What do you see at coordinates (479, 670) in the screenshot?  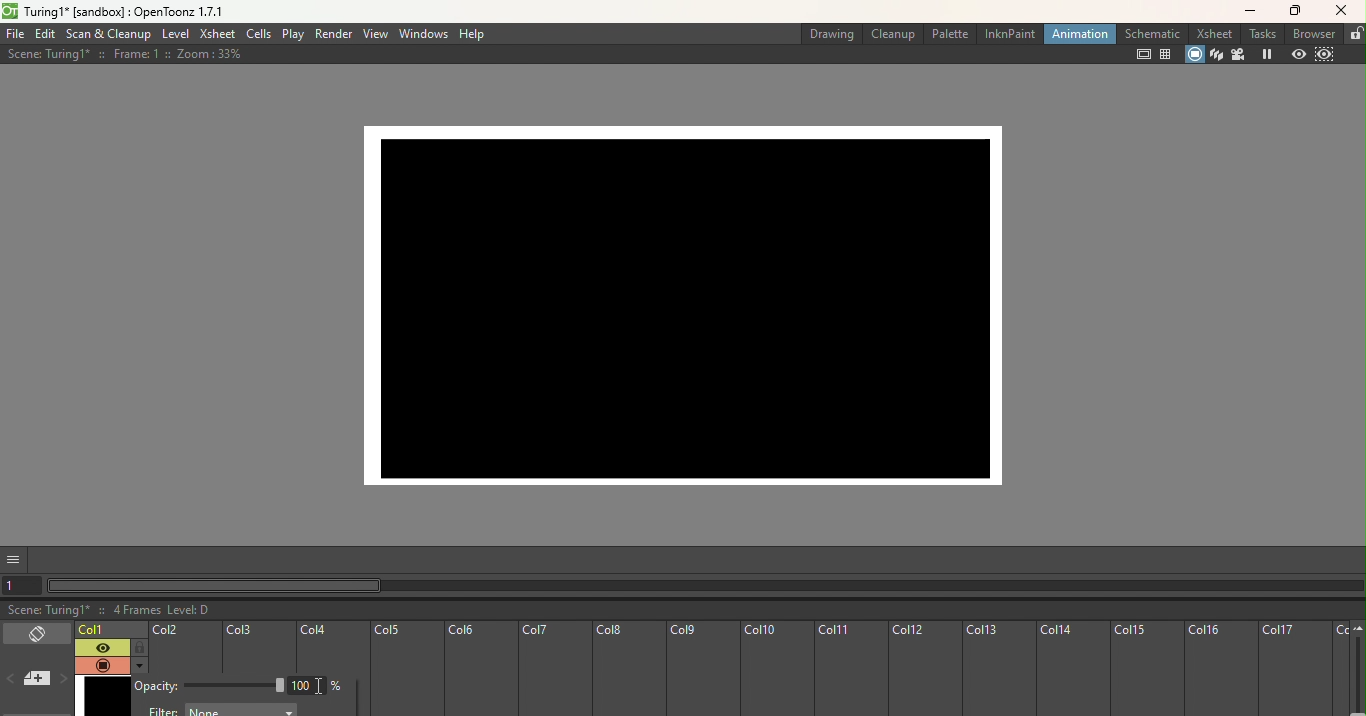 I see `Col6` at bounding box center [479, 670].